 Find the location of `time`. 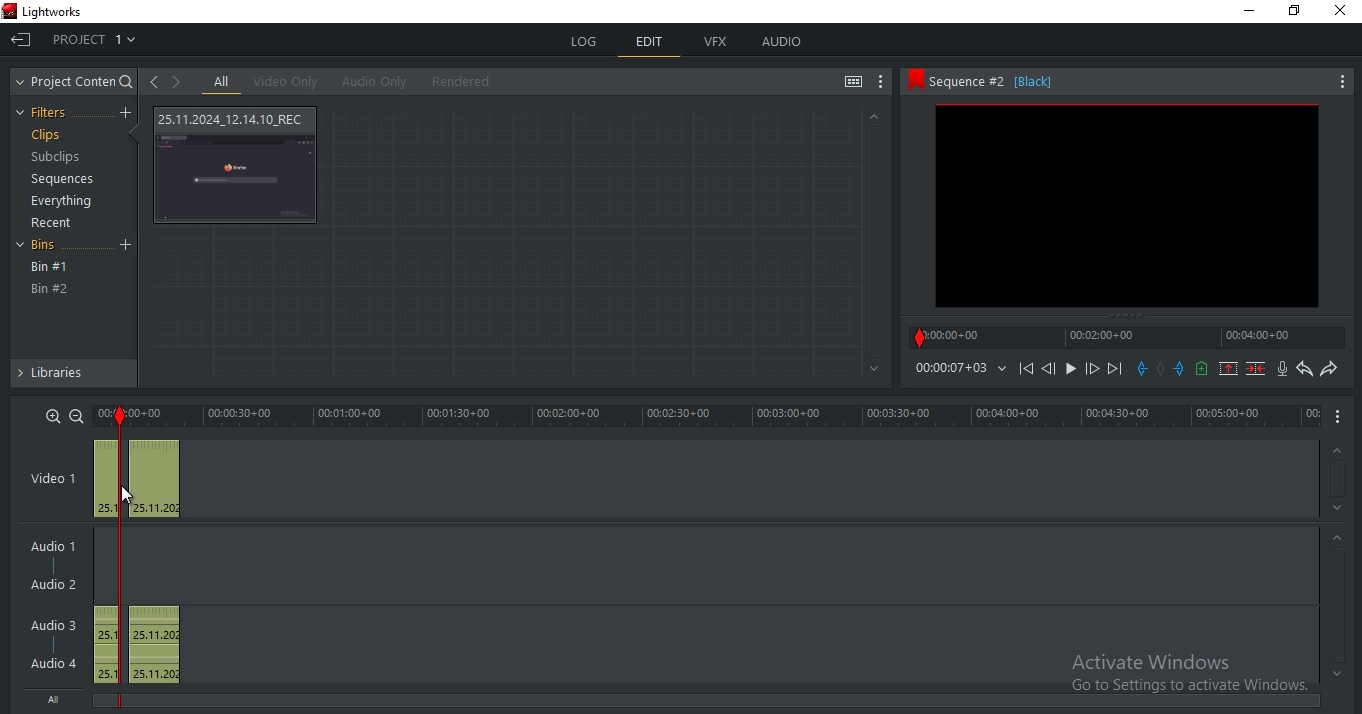

time is located at coordinates (731, 416).